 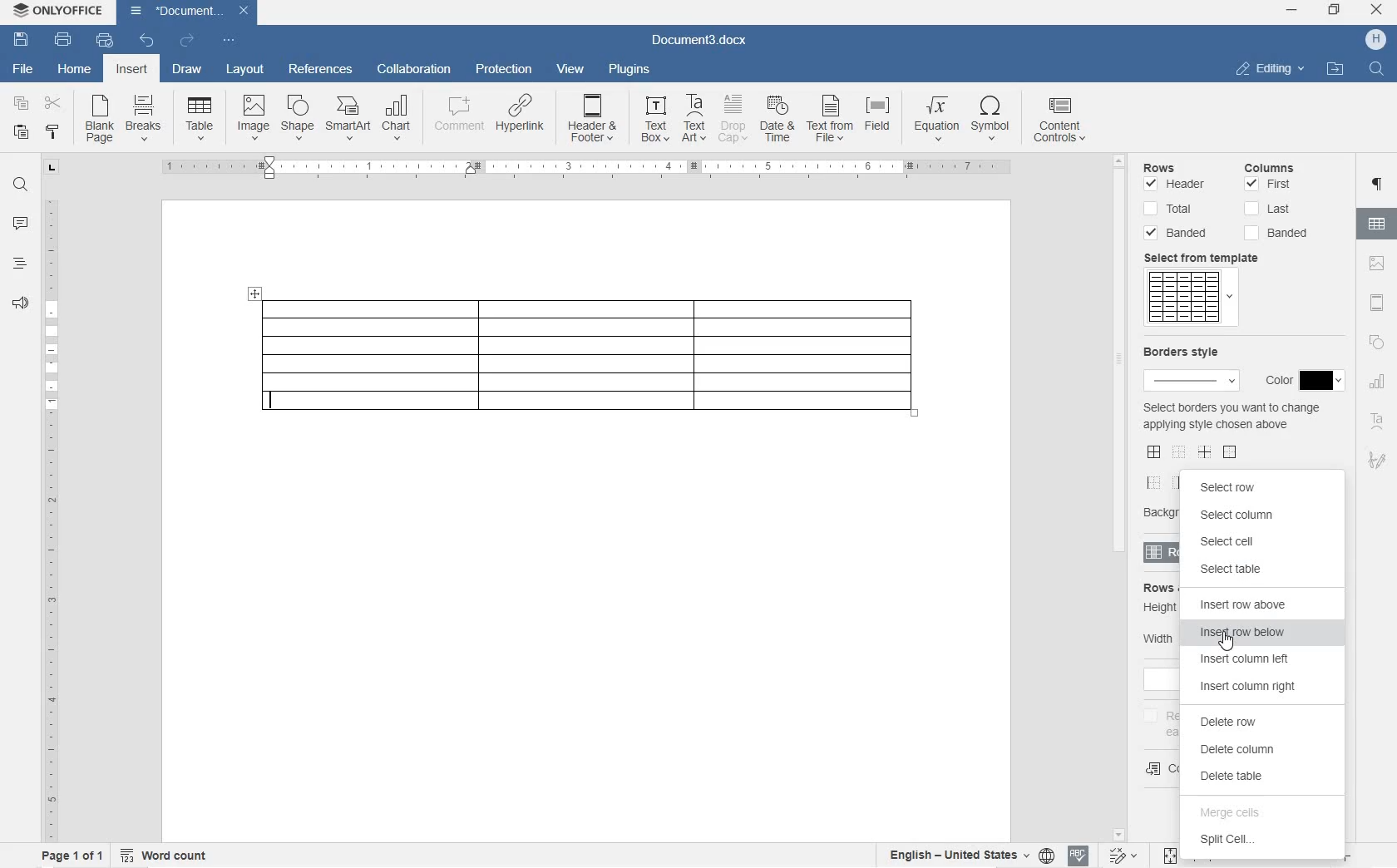 What do you see at coordinates (104, 42) in the screenshot?
I see `QUICK PRINT` at bounding box center [104, 42].